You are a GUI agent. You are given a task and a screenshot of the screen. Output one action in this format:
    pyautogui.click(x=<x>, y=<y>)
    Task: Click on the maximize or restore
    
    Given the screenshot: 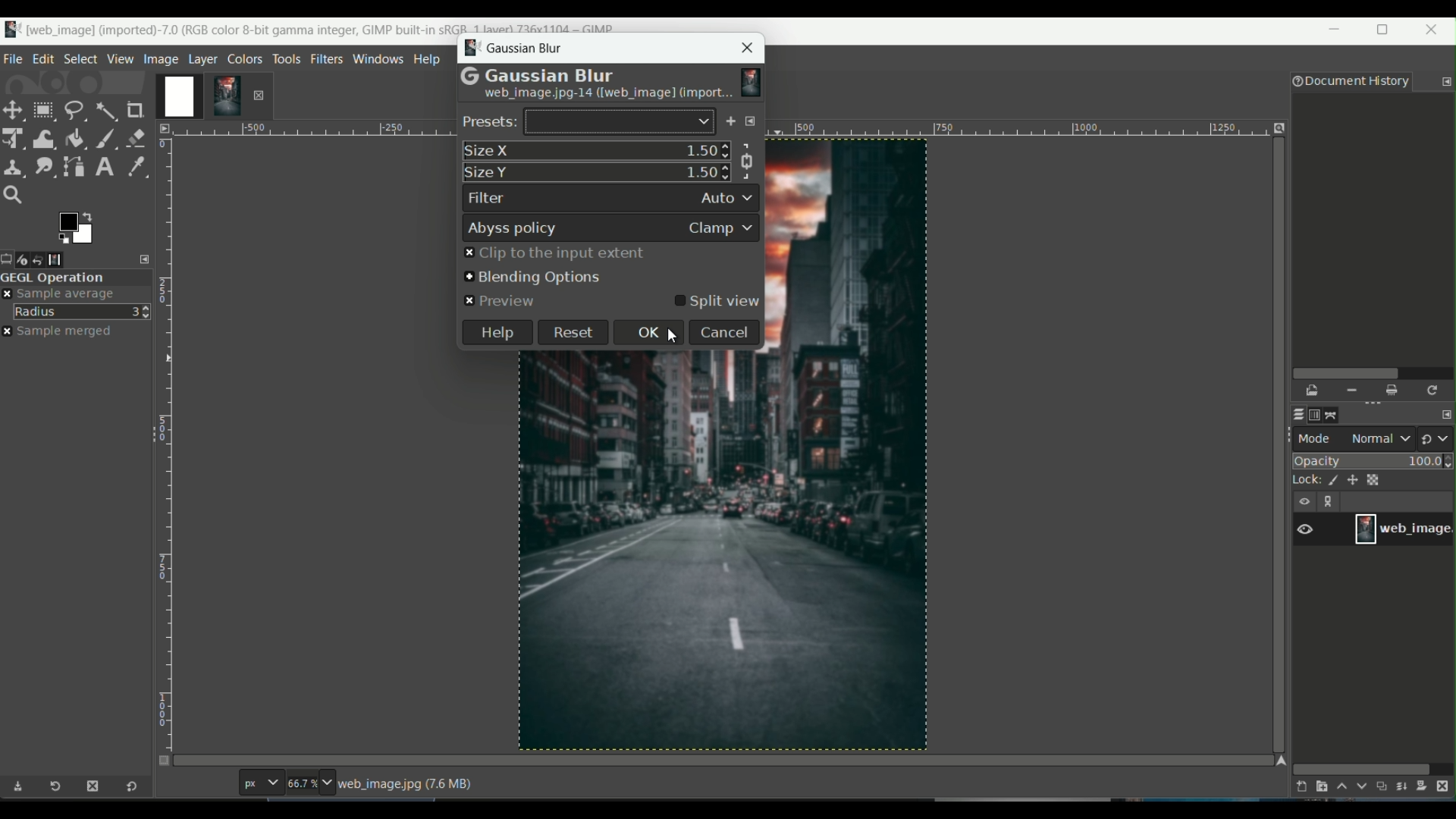 What is the action you would take?
    pyautogui.click(x=1387, y=30)
    